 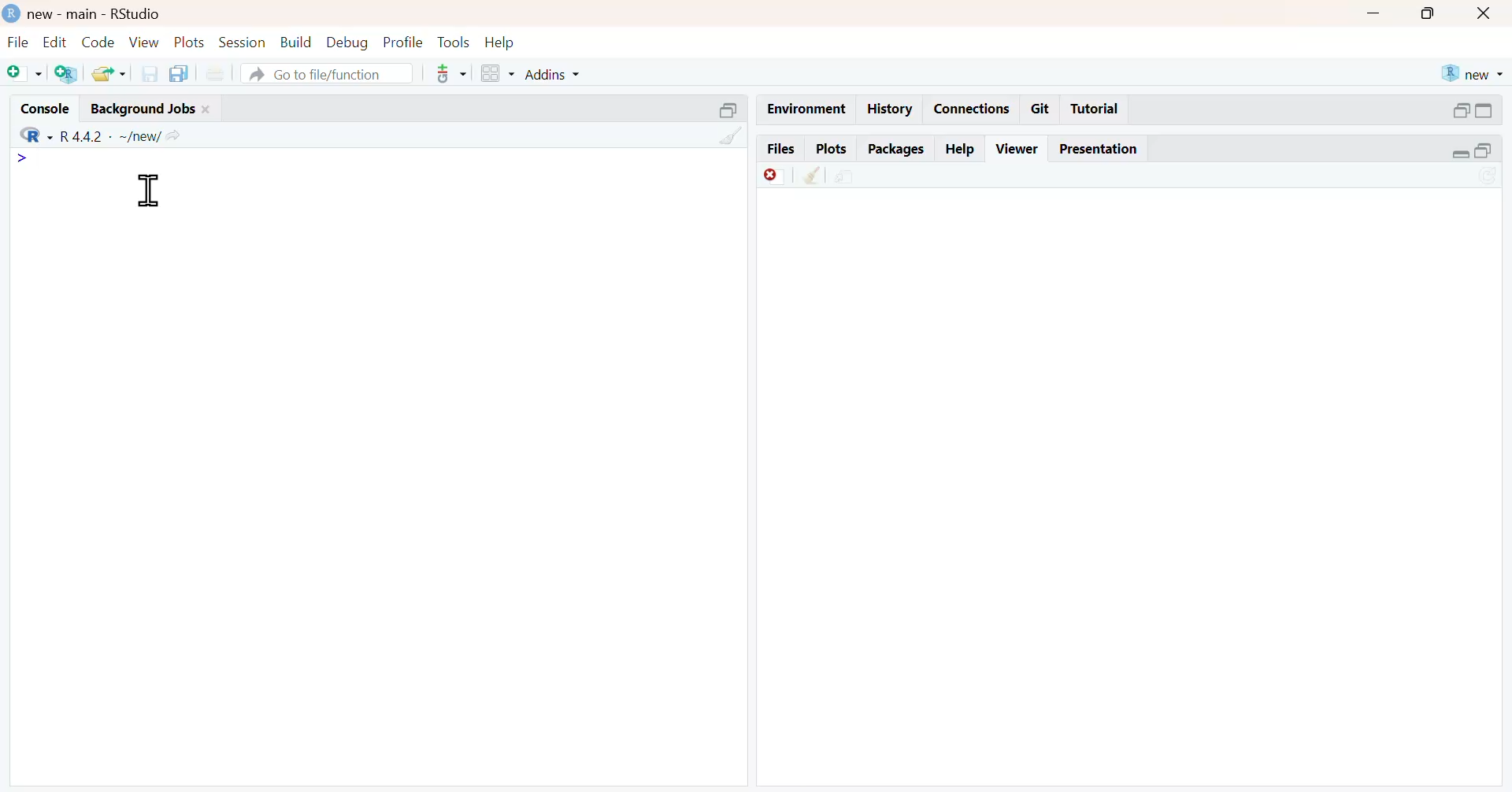 I want to click on profile, so click(x=401, y=41).